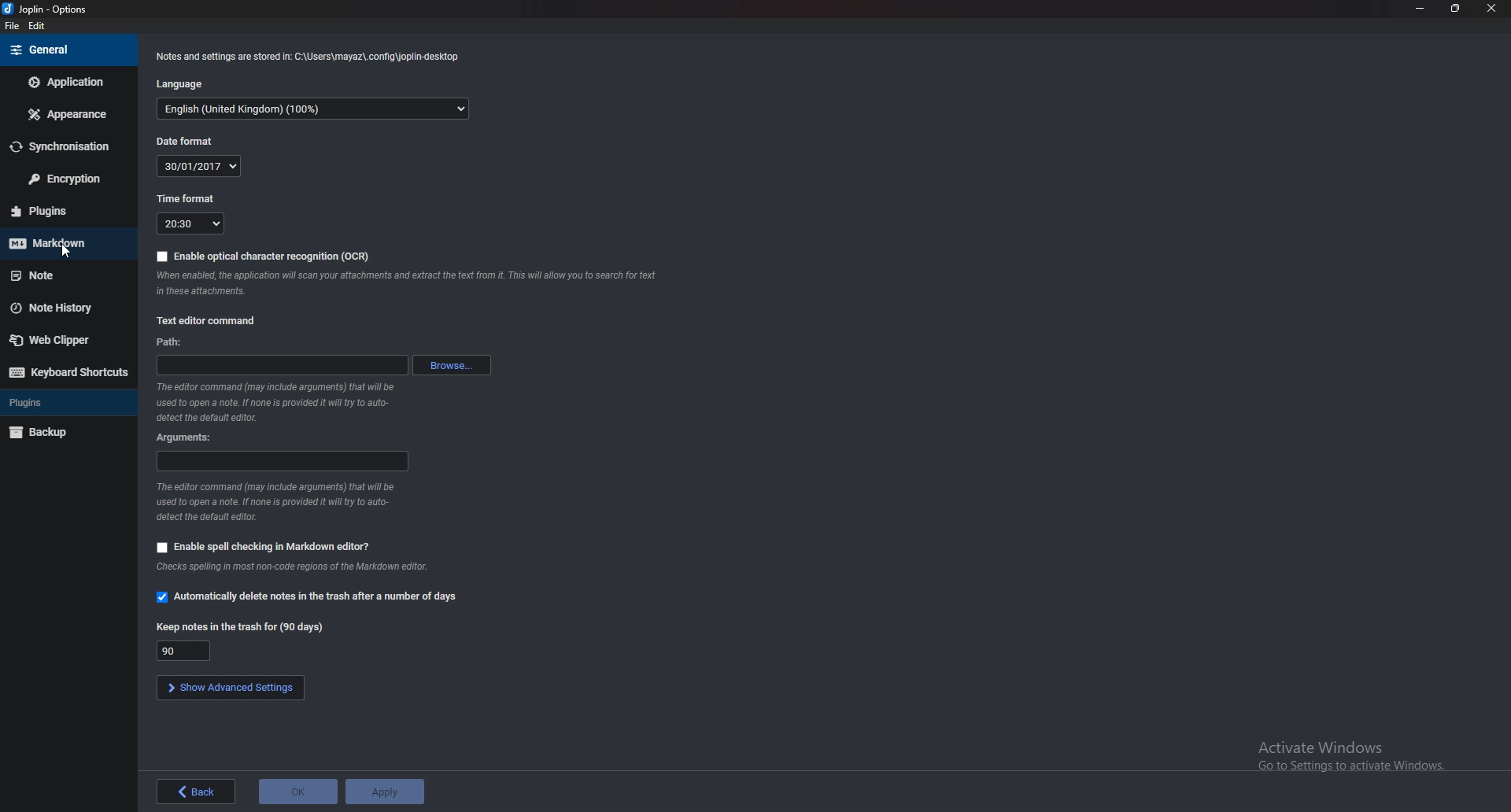  What do you see at coordinates (1492, 9) in the screenshot?
I see `close` at bounding box center [1492, 9].